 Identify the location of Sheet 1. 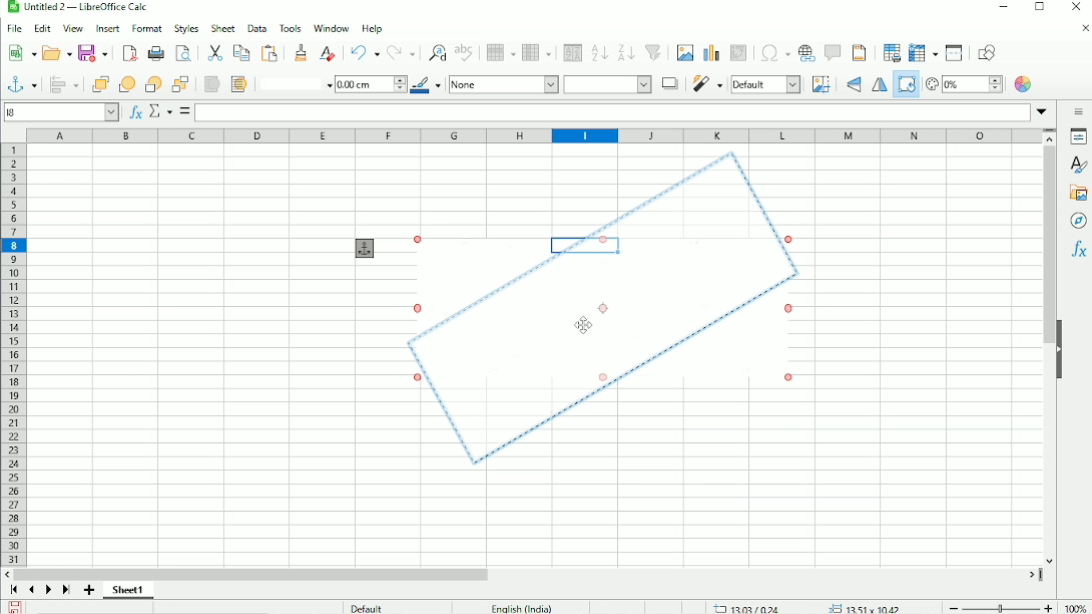
(128, 591).